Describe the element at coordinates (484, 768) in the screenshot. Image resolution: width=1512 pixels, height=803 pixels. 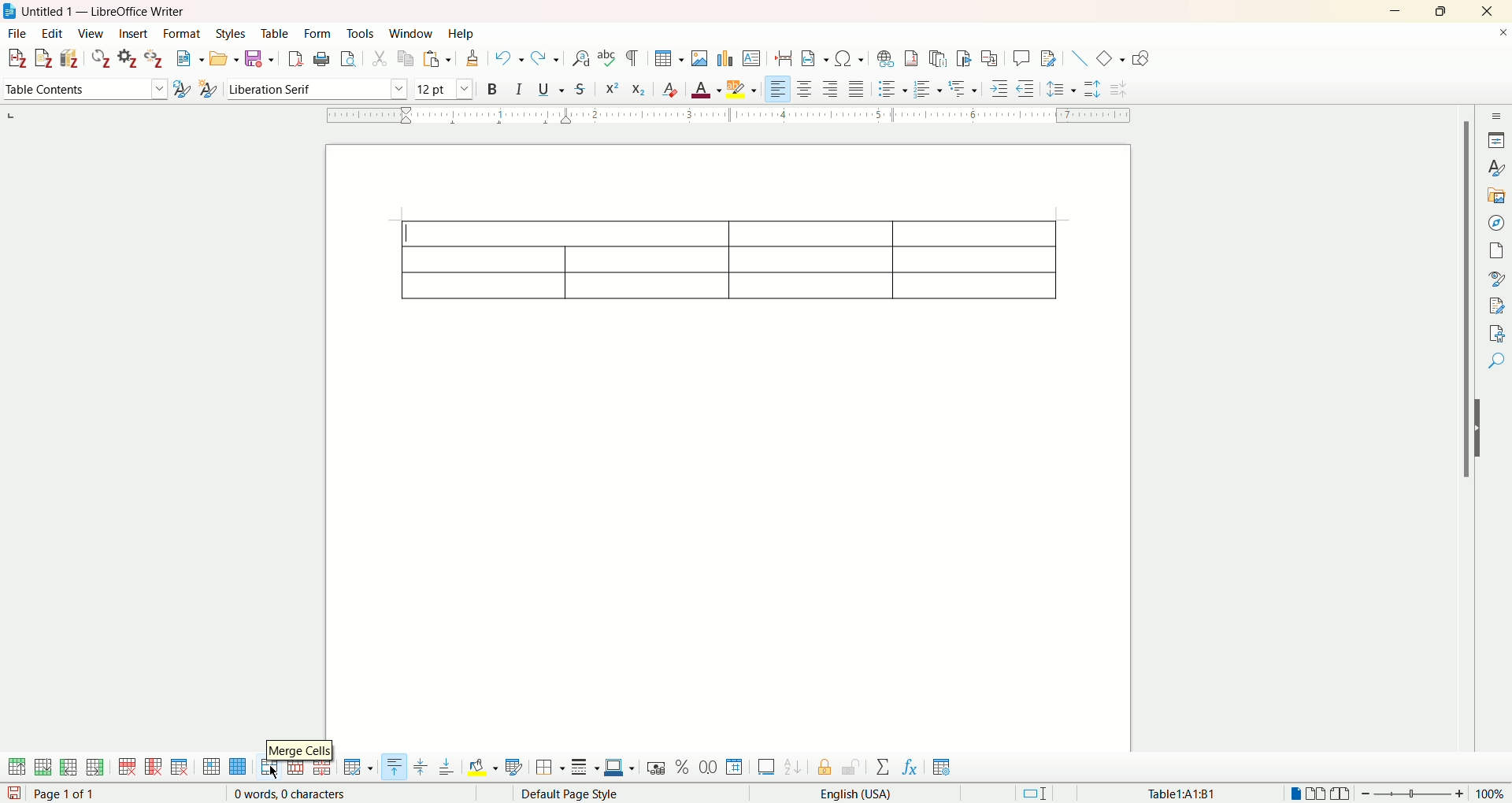
I see `background color` at that location.